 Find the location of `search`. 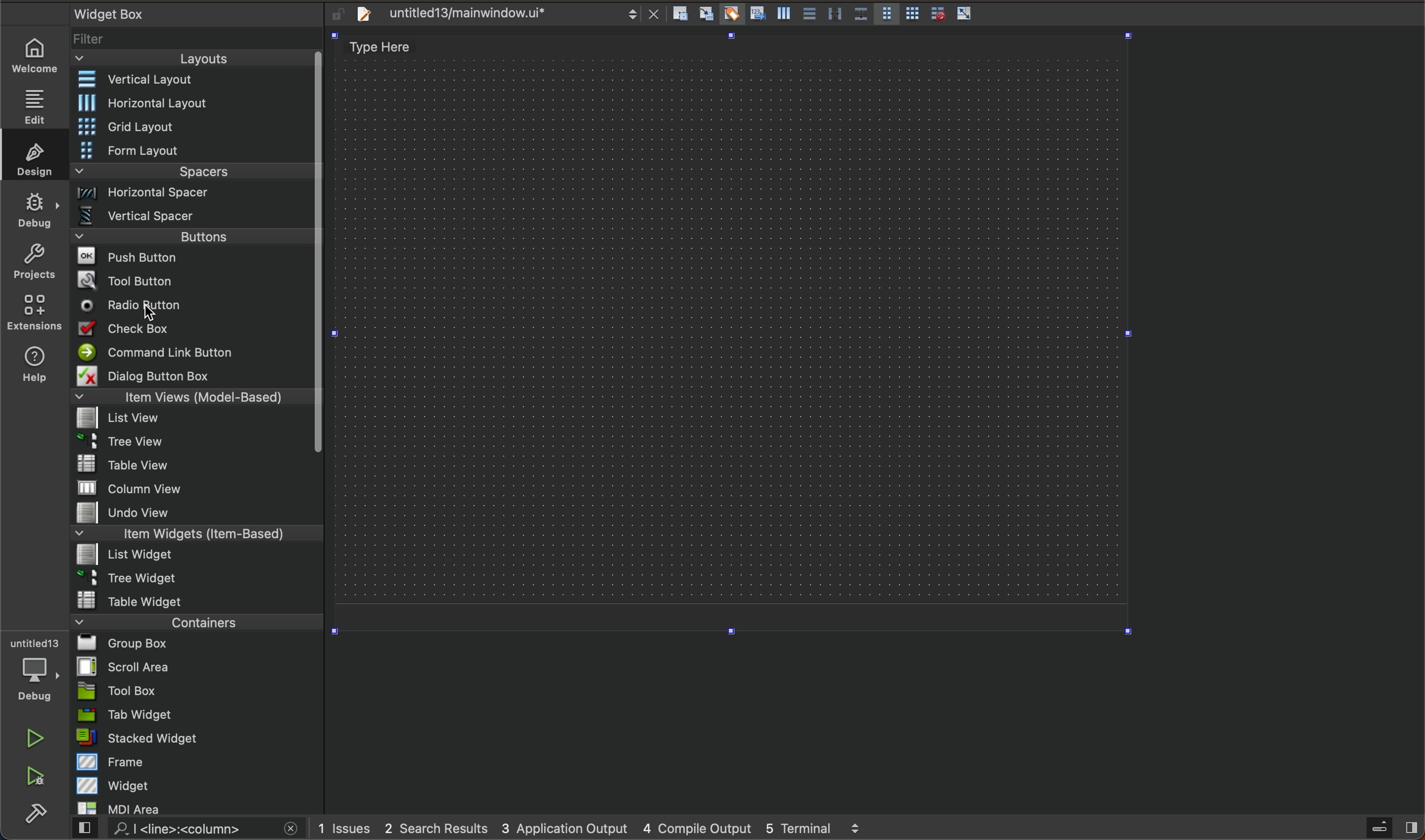

search is located at coordinates (183, 829).